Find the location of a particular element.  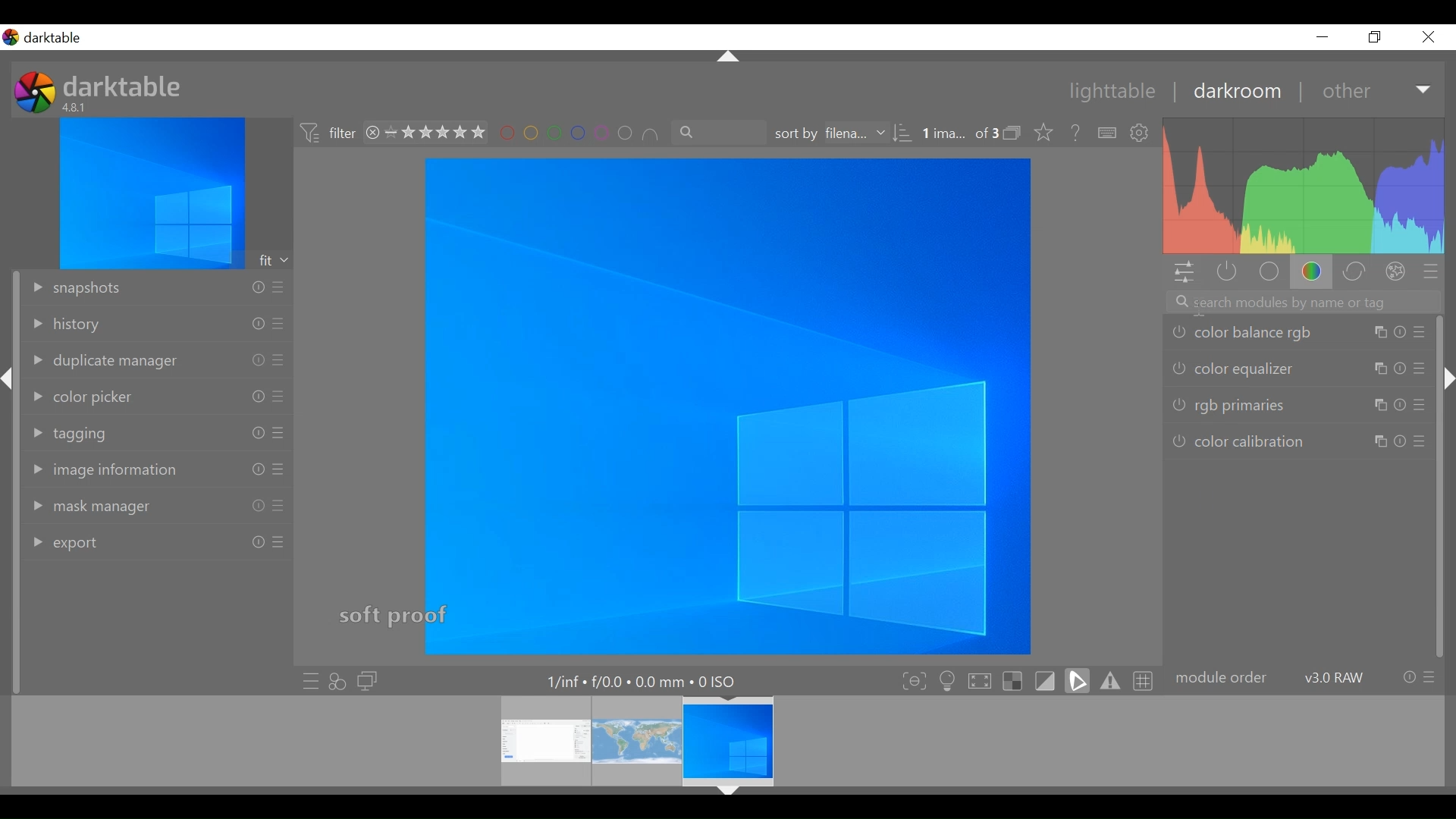

image is located at coordinates (727, 406).